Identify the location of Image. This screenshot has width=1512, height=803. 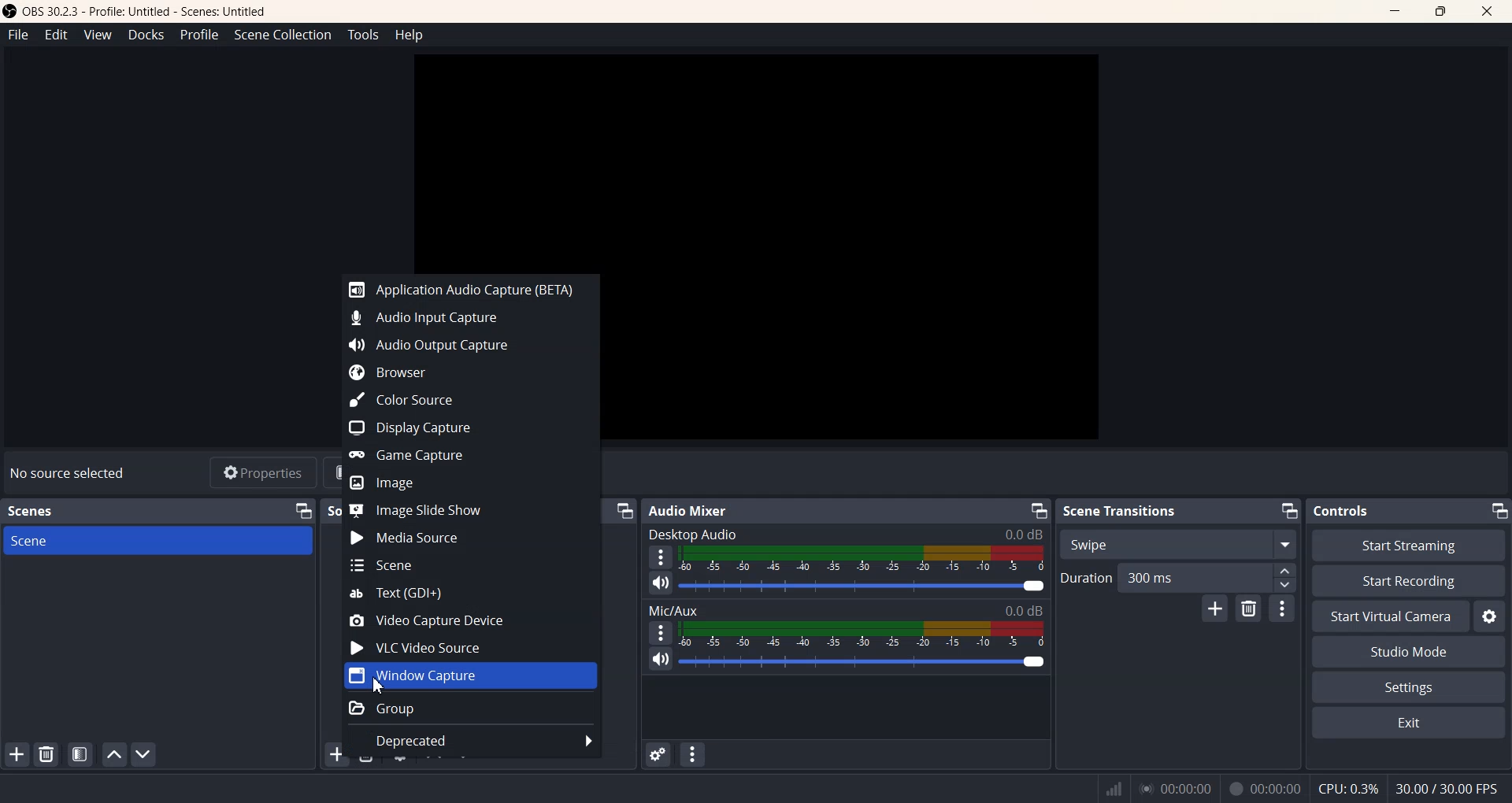
(466, 482).